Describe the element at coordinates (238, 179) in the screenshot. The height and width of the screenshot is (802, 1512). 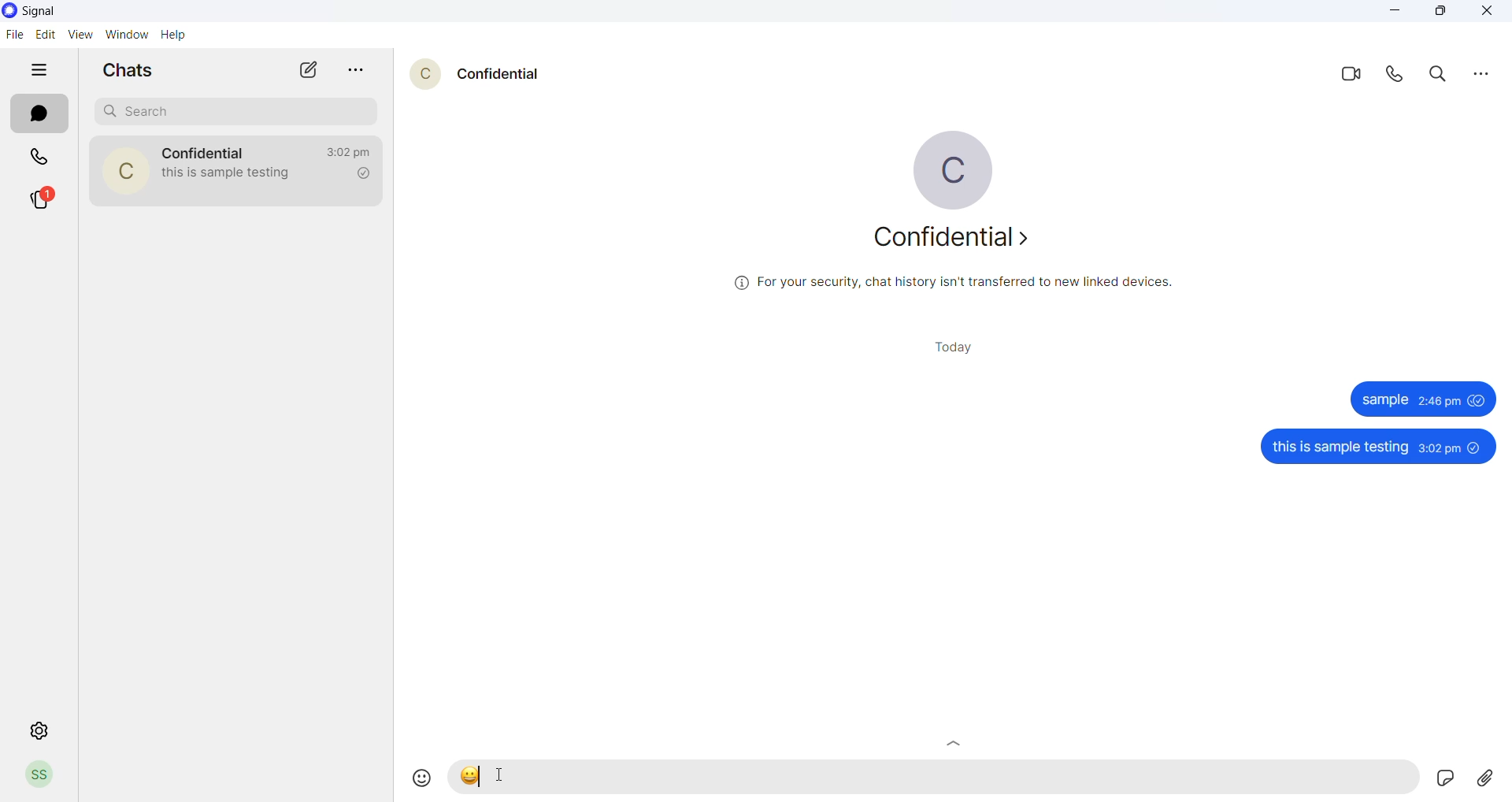
I see `last message` at that location.